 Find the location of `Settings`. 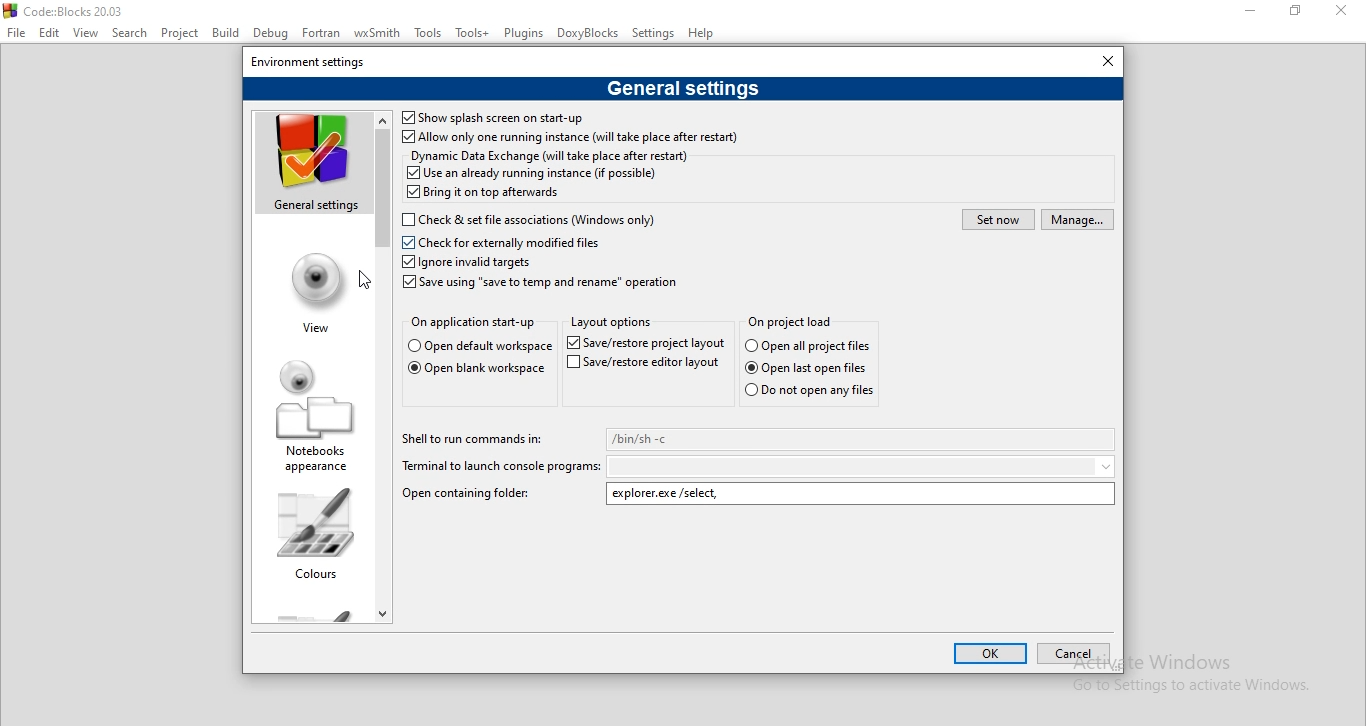

Settings is located at coordinates (654, 34).